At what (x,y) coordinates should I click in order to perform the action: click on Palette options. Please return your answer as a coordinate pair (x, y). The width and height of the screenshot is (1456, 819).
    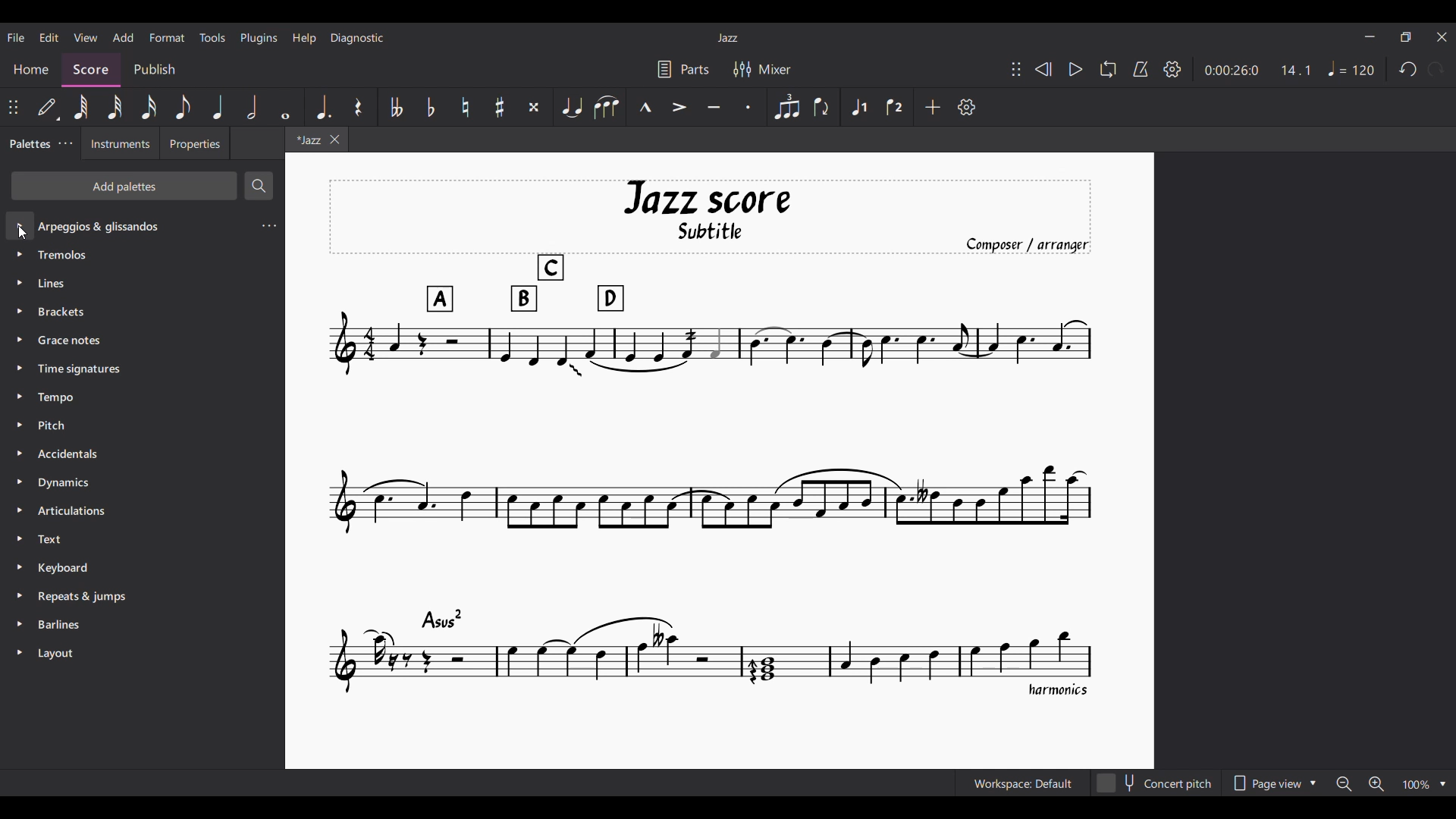
    Looking at the image, I should click on (103, 228).